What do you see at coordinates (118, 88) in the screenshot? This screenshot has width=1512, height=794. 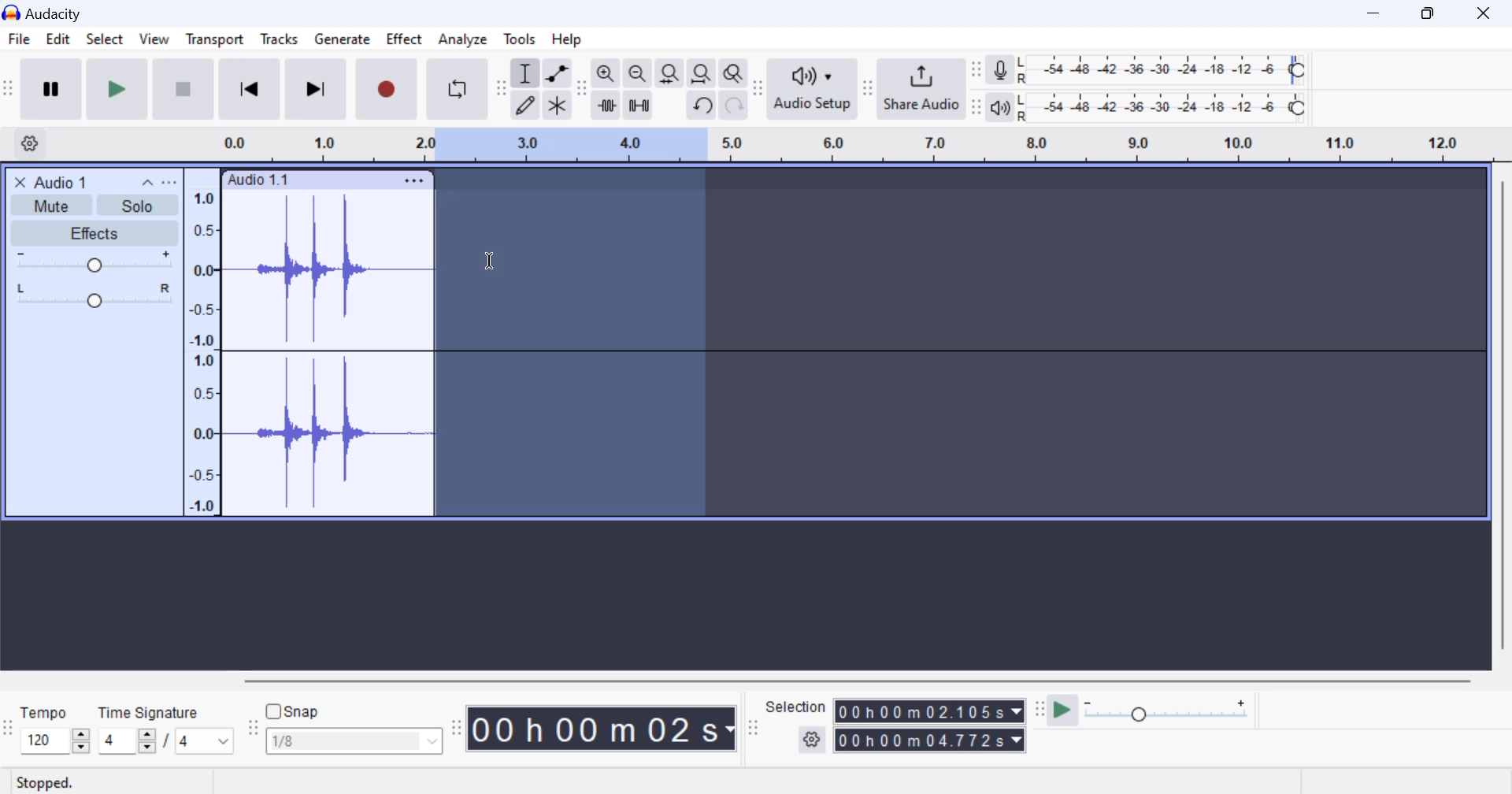 I see `Play` at bounding box center [118, 88].